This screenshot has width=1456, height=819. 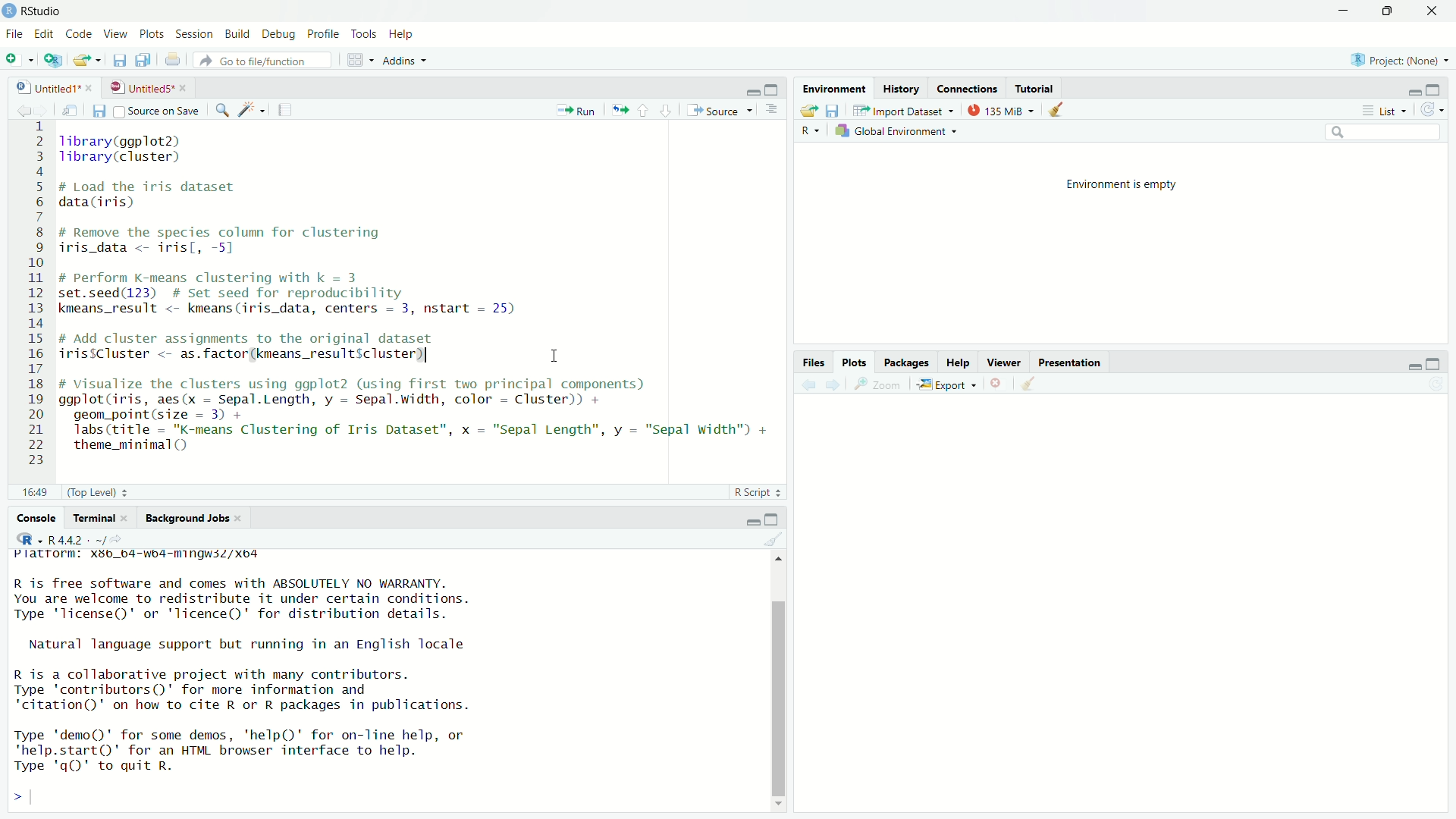 I want to click on search field, so click(x=1381, y=132).